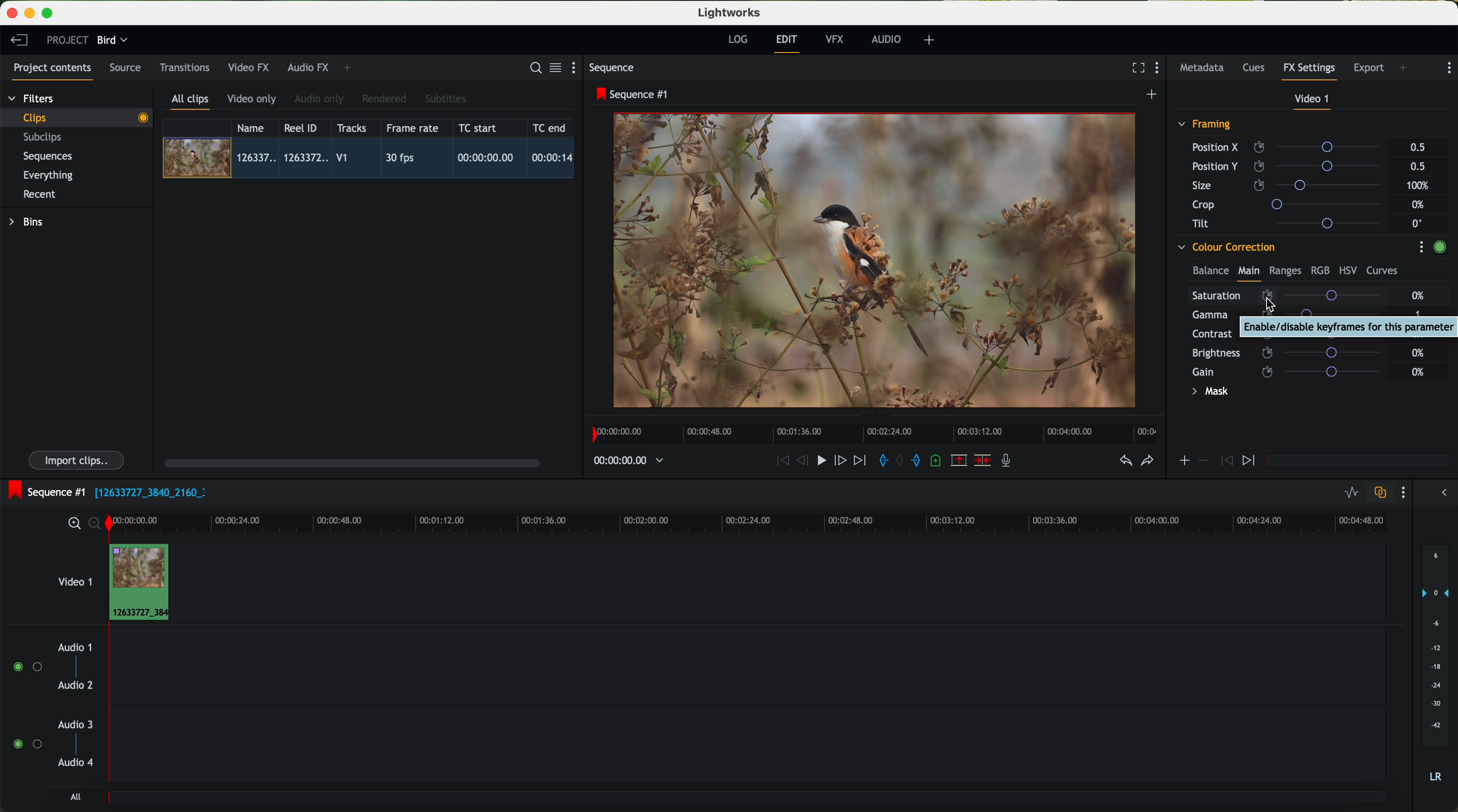 Image resolution: width=1458 pixels, height=812 pixels. Describe the element at coordinates (633, 94) in the screenshot. I see `sequence #1` at that location.